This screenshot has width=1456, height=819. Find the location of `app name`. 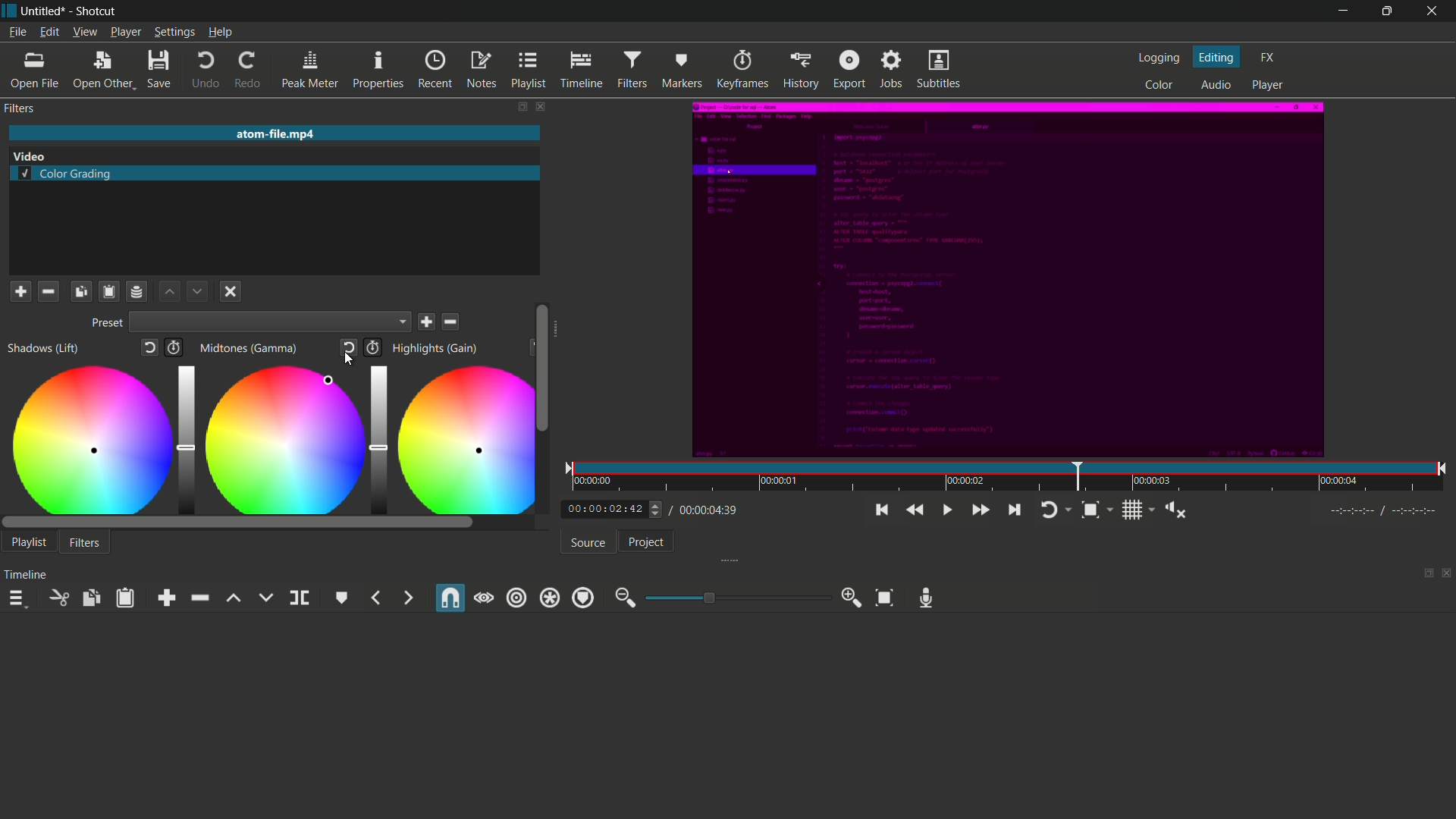

app name is located at coordinates (96, 11).